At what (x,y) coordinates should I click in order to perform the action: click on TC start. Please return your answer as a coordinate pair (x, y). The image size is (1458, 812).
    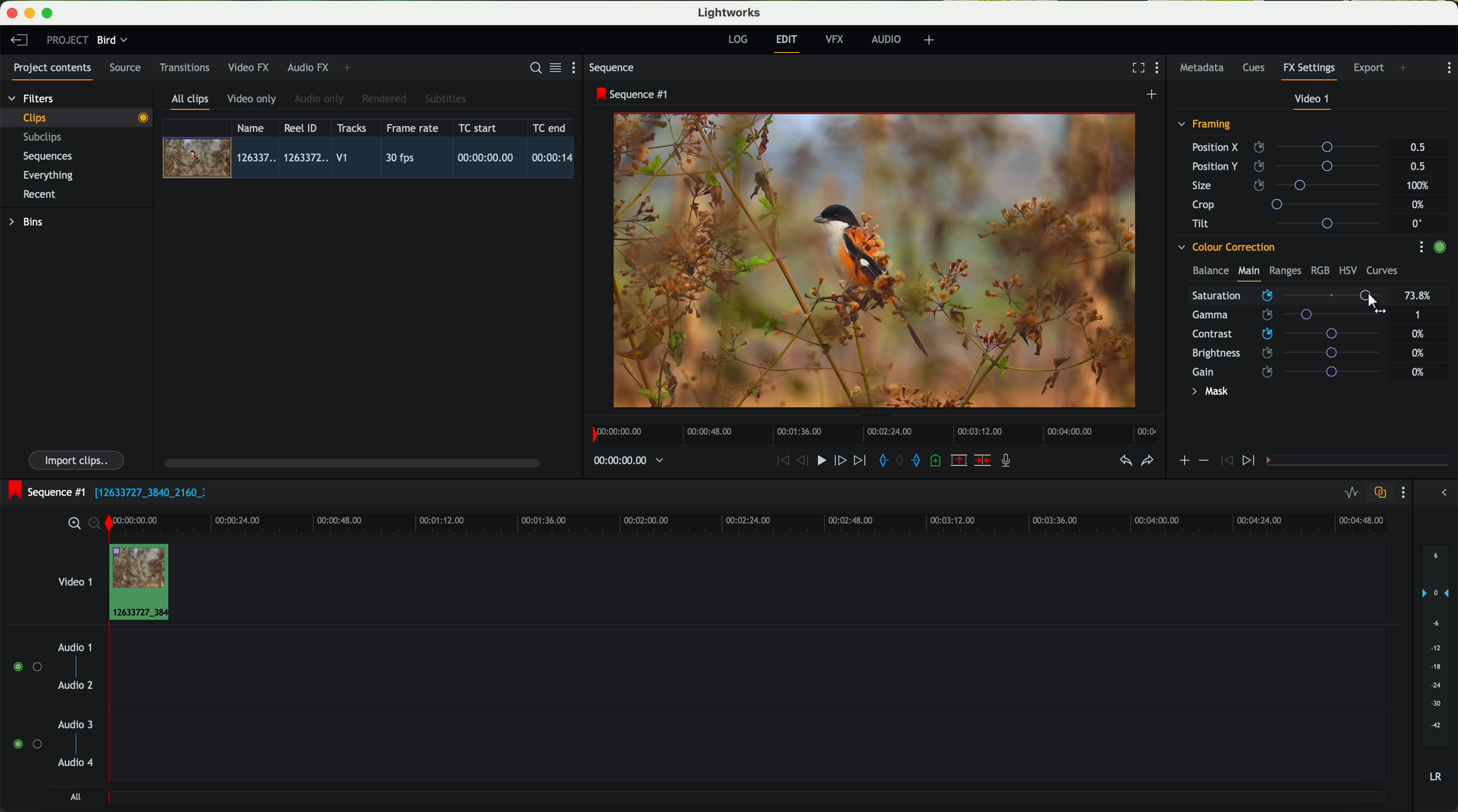
    Looking at the image, I should click on (479, 127).